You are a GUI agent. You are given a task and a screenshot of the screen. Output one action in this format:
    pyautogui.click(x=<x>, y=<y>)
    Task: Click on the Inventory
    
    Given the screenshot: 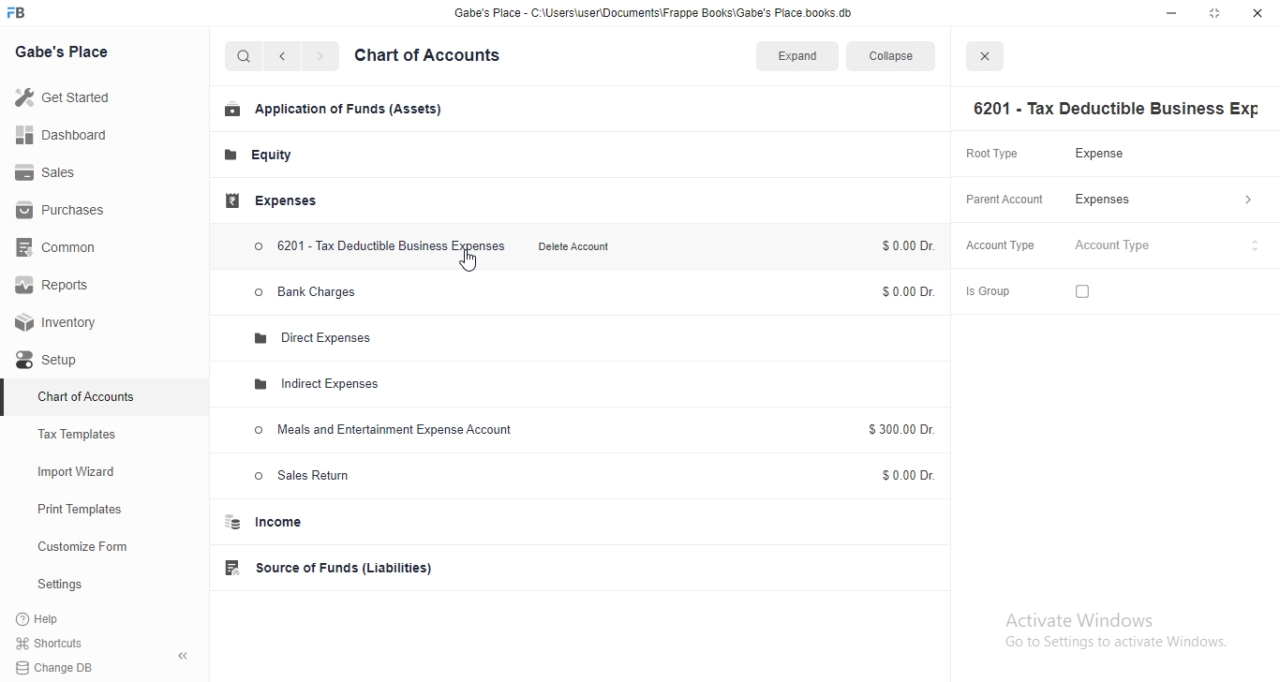 What is the action you would take?
    pyautogui.click(x=64, y=323)
    